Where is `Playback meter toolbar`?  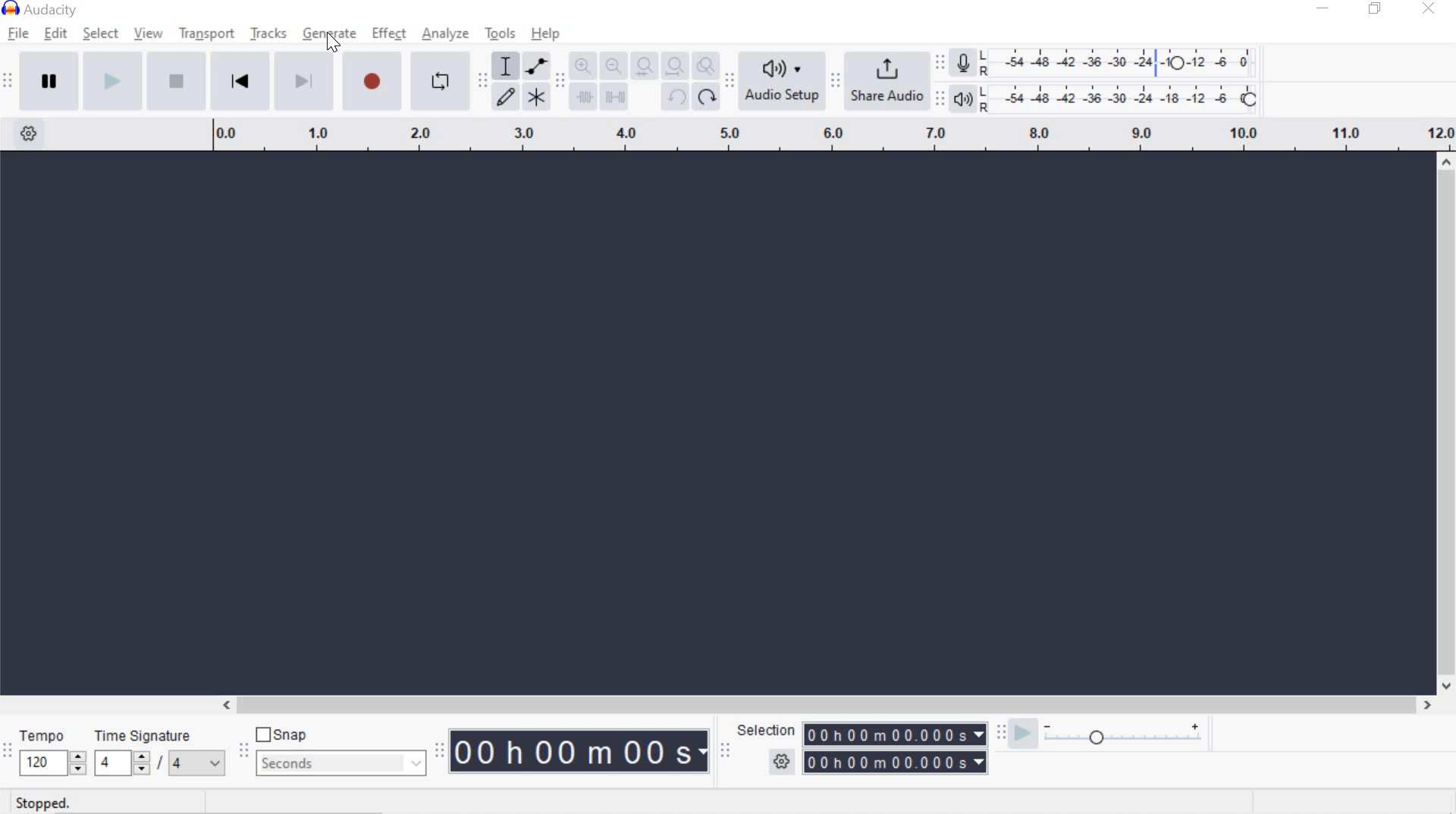 Playback meter toolbar is located at coordinates (941, 101).